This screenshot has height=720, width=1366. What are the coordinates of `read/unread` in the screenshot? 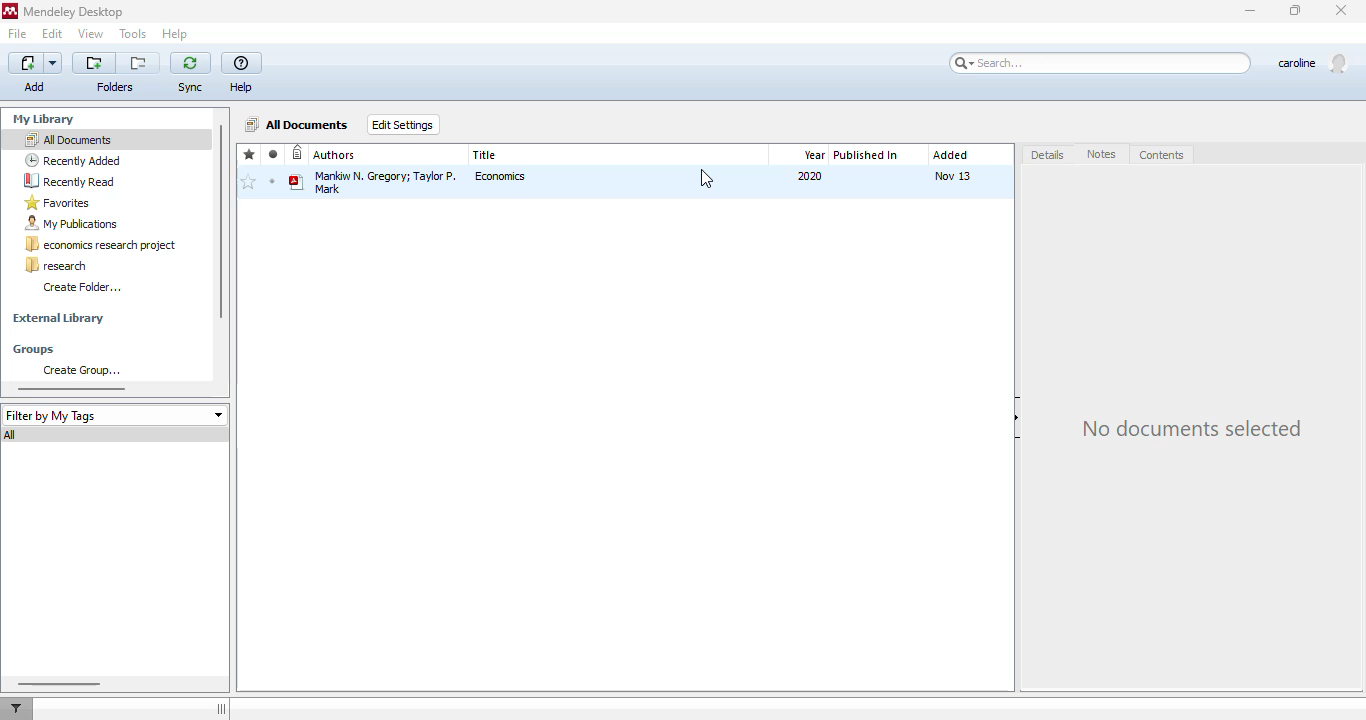 It's located at (274, 154).